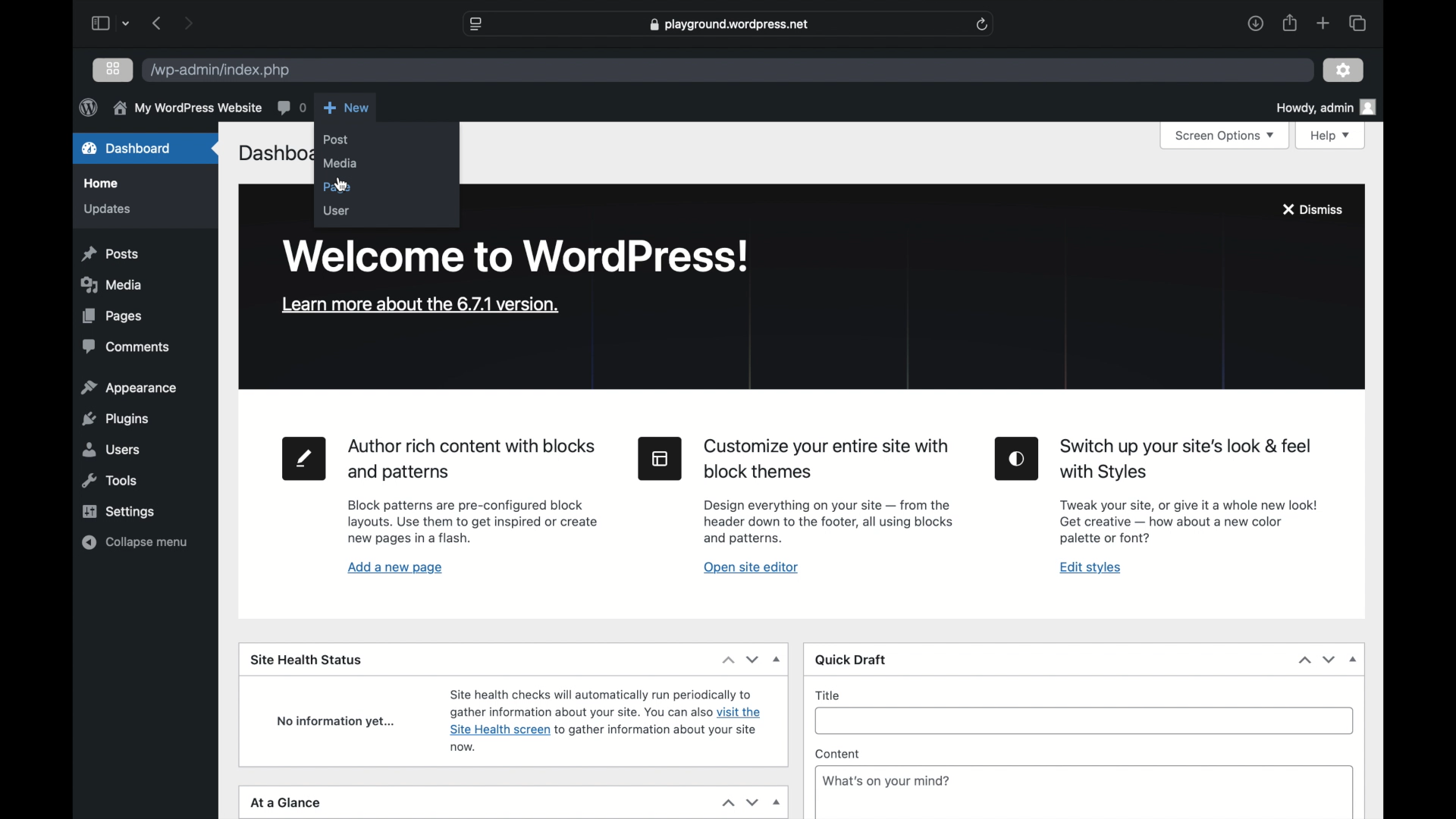 The width and height of the screenshot is (1456, 819). What do you see at coordinates (187, 109) in the screenshot?
I see `my wordpress website` at bounding box center [187, 109].